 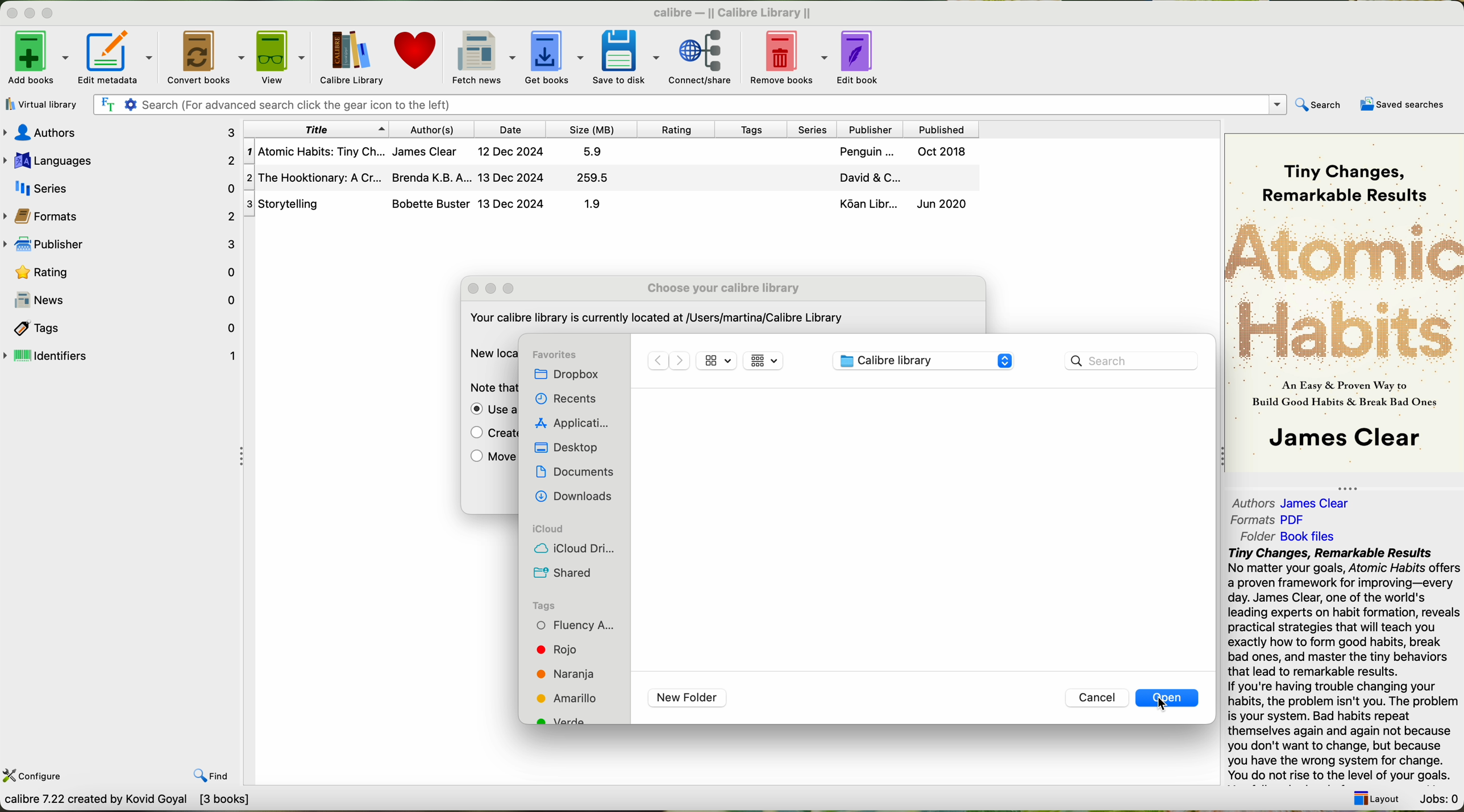 What do you see at coordinates (717, 360) in the screenshot?
I see `size of icons` at bounding box center [717, 360].